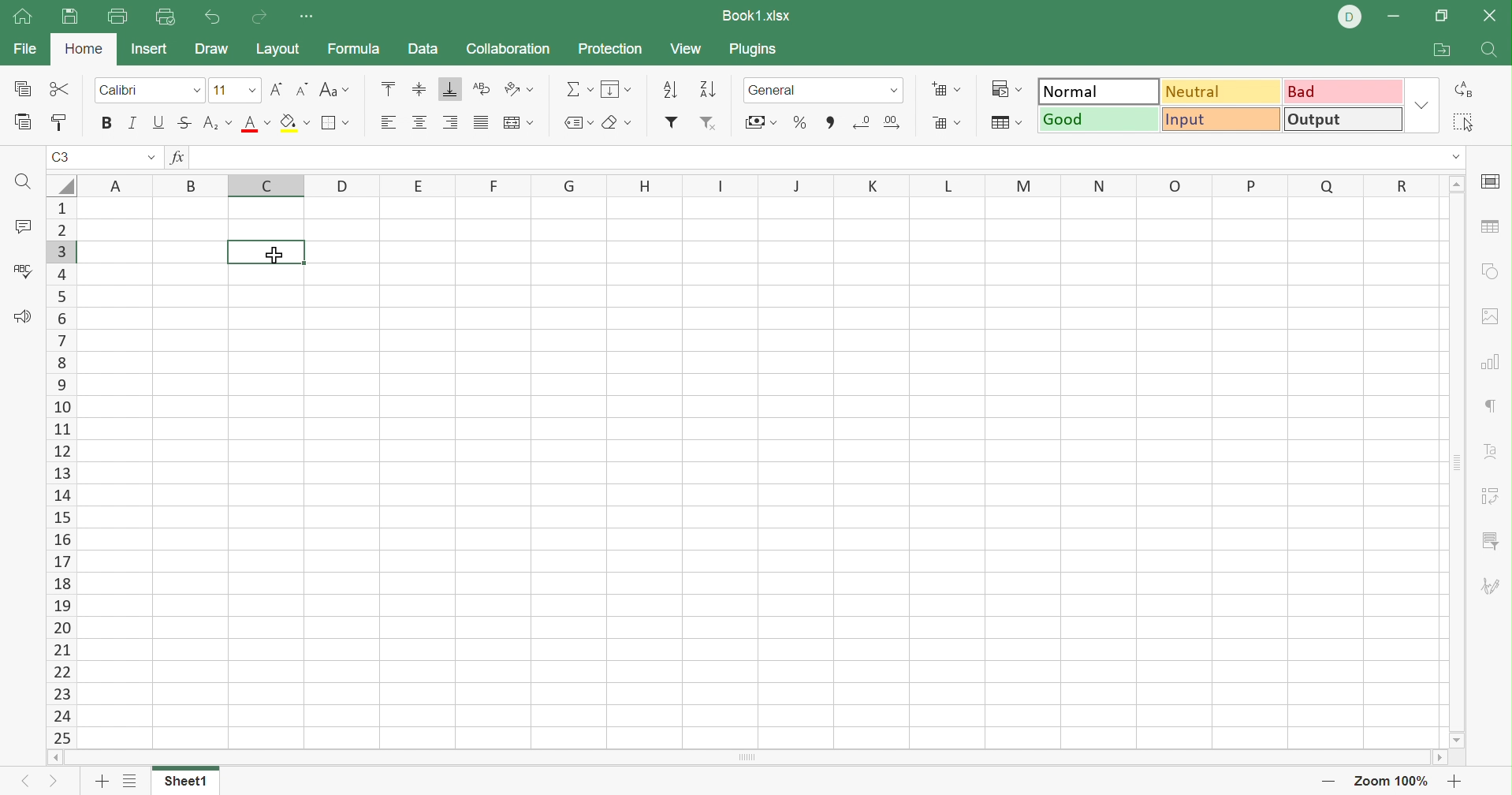 This screenshot has height=795, width=1512. What do you see at coordinates (1490, 364) in the screenshot?
I see `Chart settings` at bounding box center [1490, 364].